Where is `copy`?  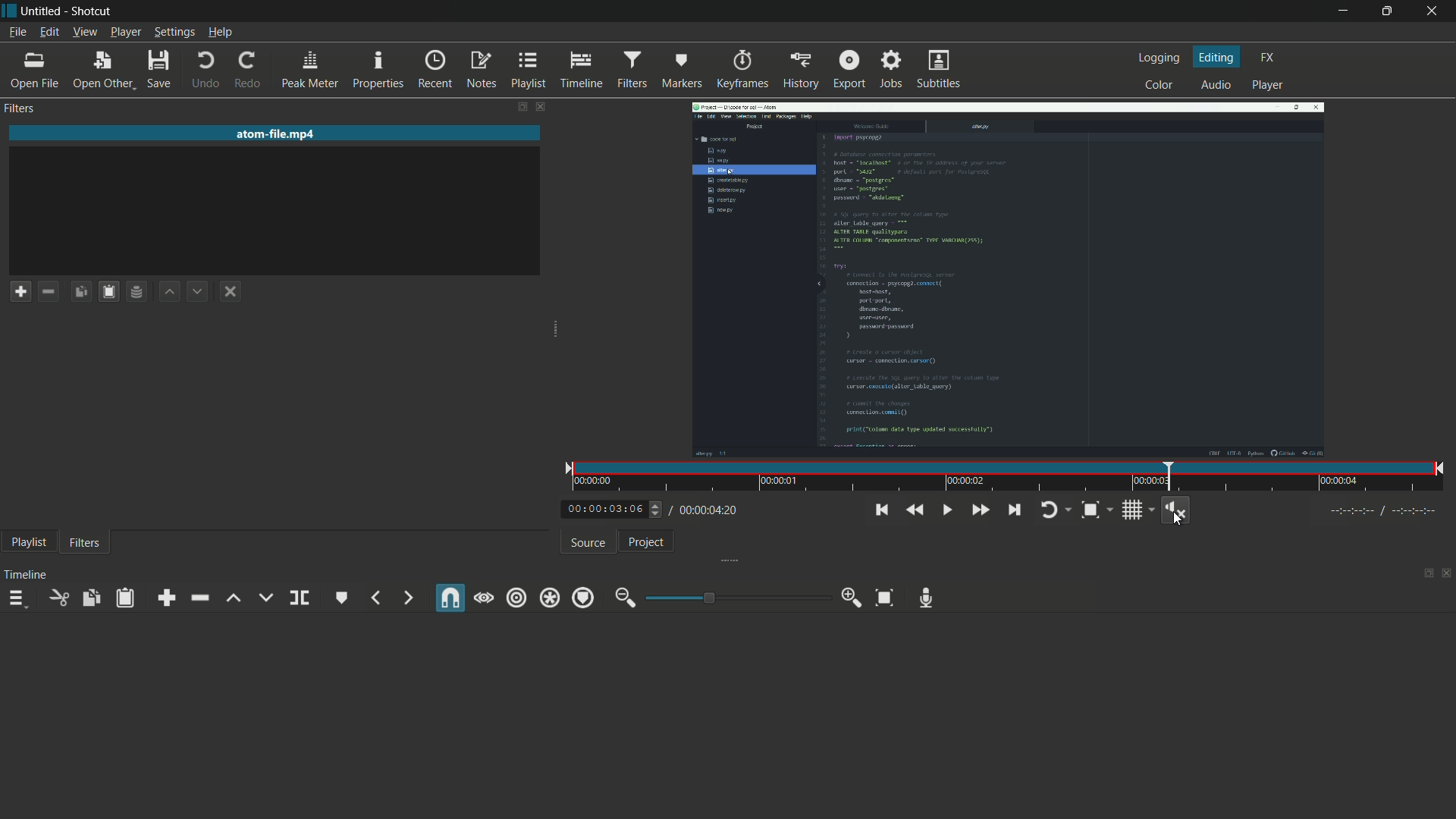 copy is located at coordinates (92, 599).